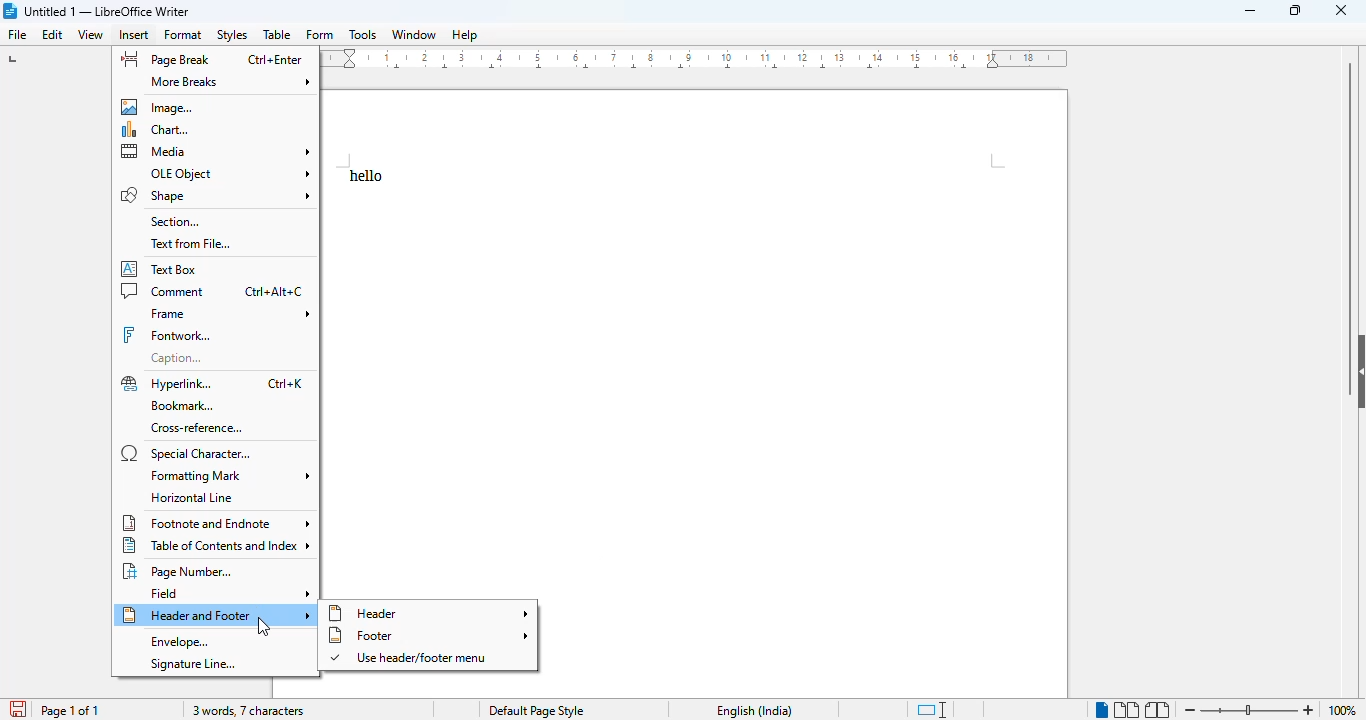 The width and height of the screenshot is (1366, 720). Describe the element at coordinates (183, 35) in the screenshot. I see `format` at that location.